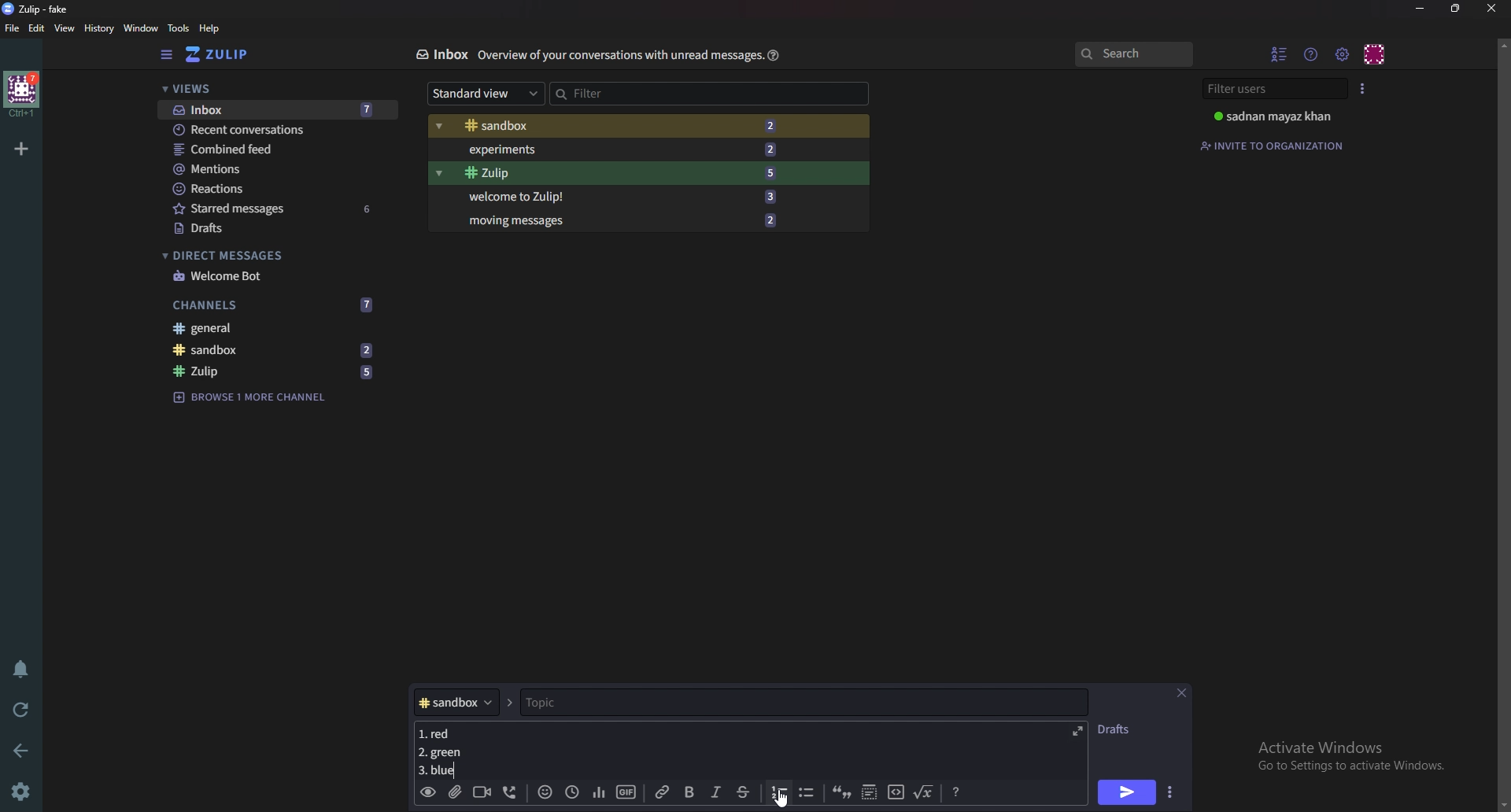 The height and width of the screenshot is (812, 1511). Describe the element at coordinates (600, 700) in the screenshot. I see `topic` at that location.